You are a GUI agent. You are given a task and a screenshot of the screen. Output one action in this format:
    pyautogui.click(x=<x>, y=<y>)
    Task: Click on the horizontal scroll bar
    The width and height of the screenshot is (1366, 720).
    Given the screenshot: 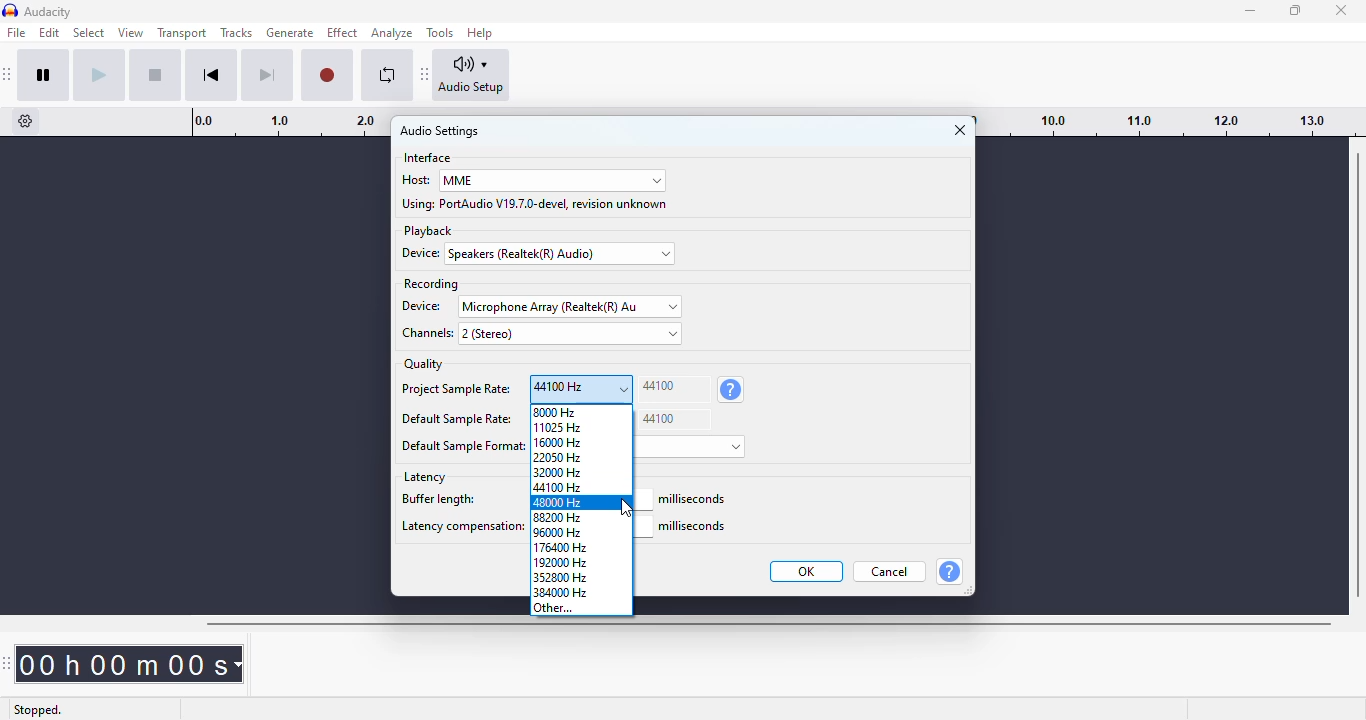 What is the action you would take?
    pyautogui.click(x=768, y=624)
    